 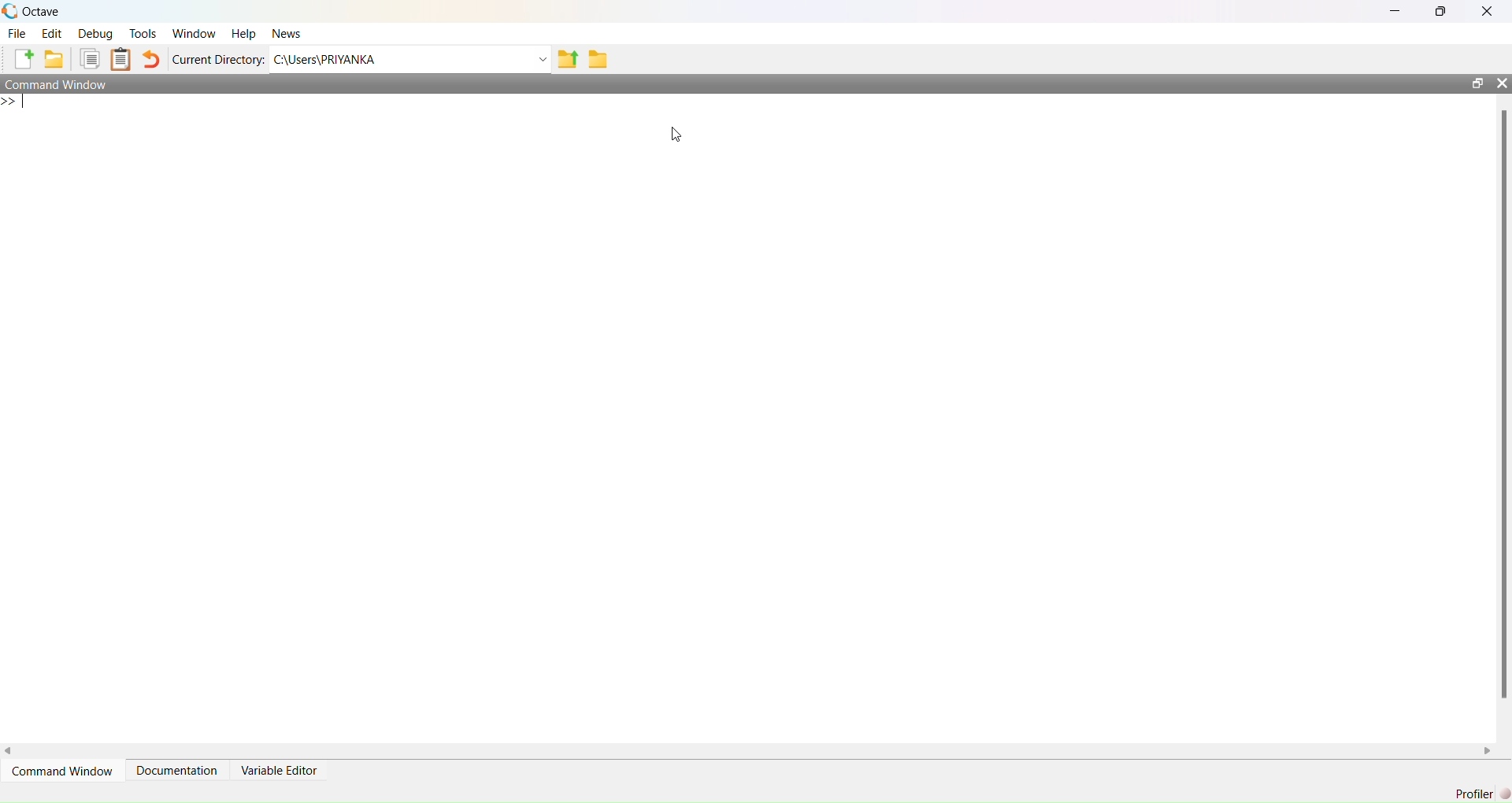 What do you see at coordinates (56, 83) in the screenshot?
I see `Command Window` at bounding box center [56, 83].